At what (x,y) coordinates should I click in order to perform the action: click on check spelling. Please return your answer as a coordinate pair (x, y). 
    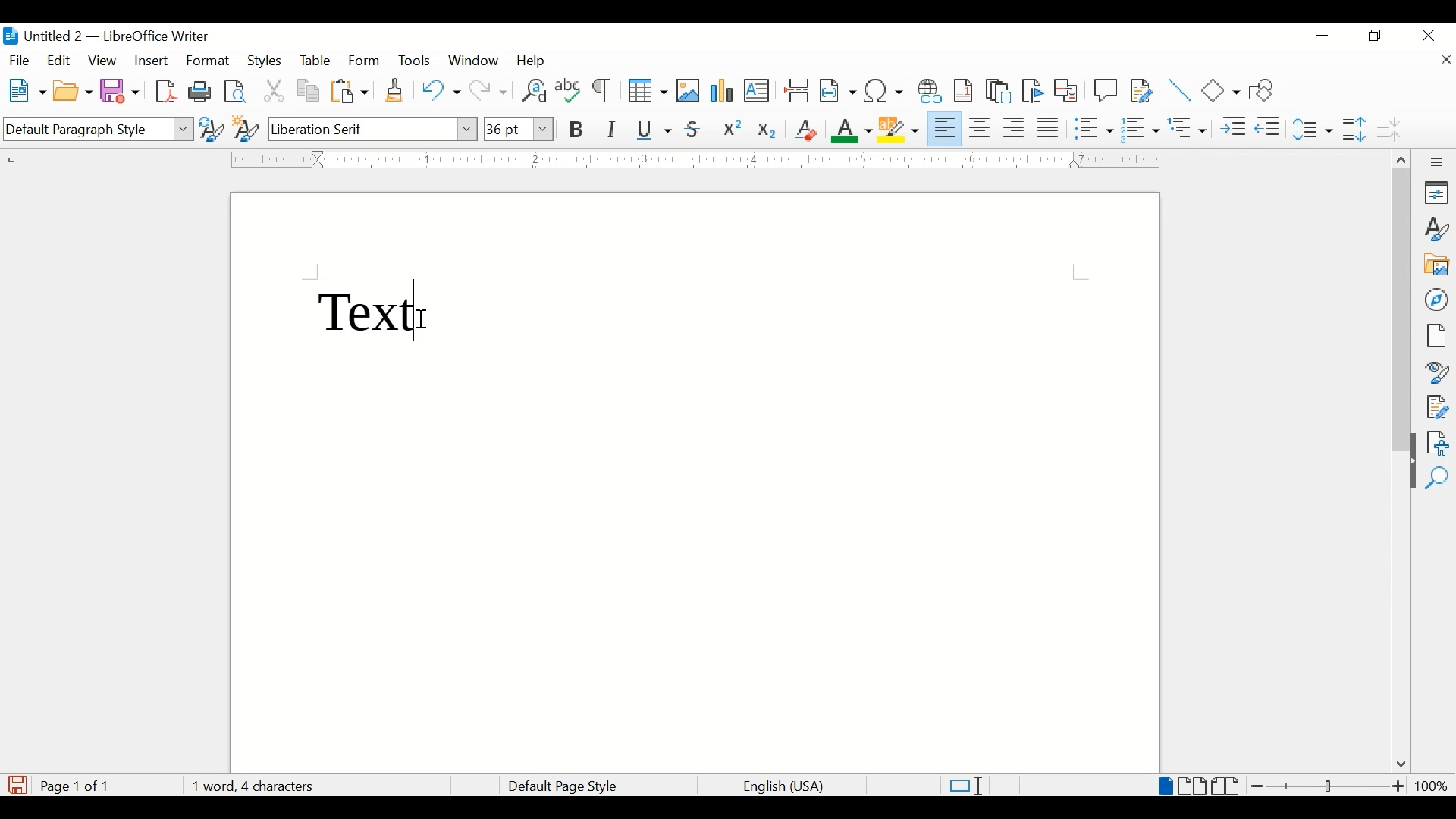
    Looking at the image, I should click on (569, 89).